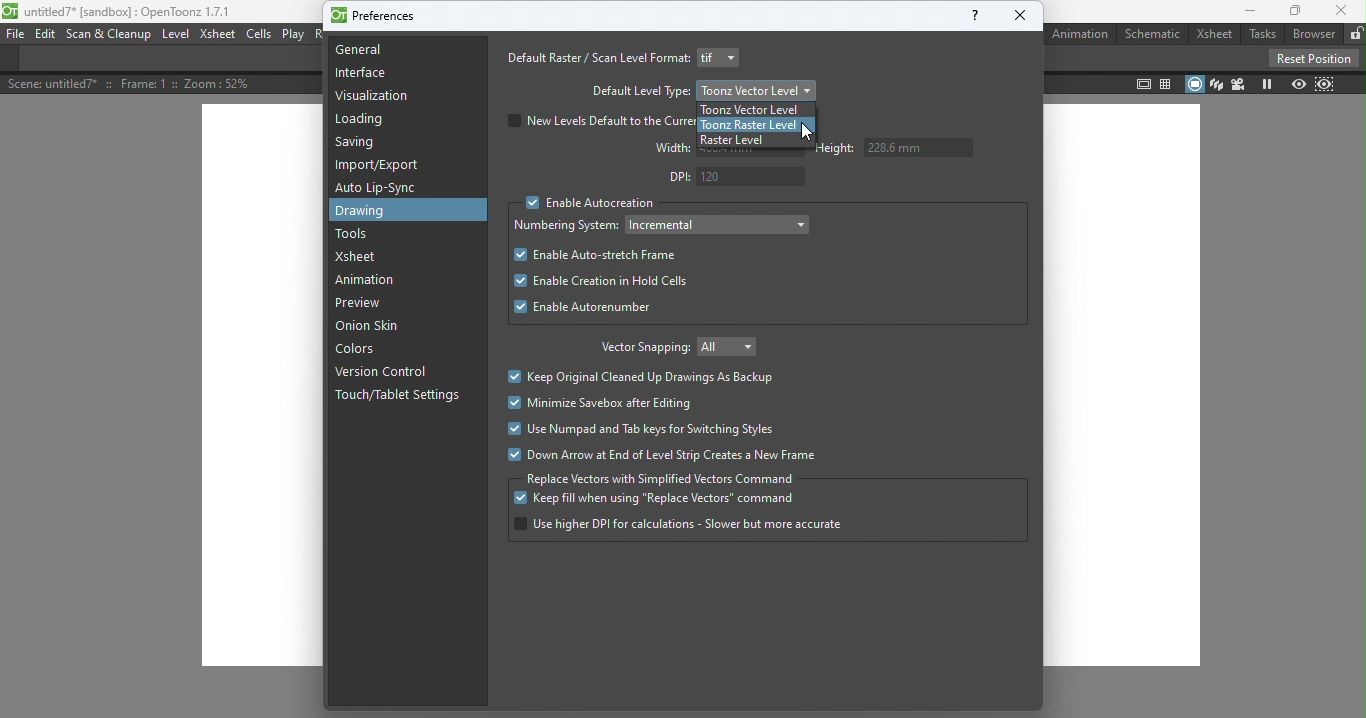 The width and height of the screenshot is (1366, 718). I want to click on Import/Export, so click(381, 166).